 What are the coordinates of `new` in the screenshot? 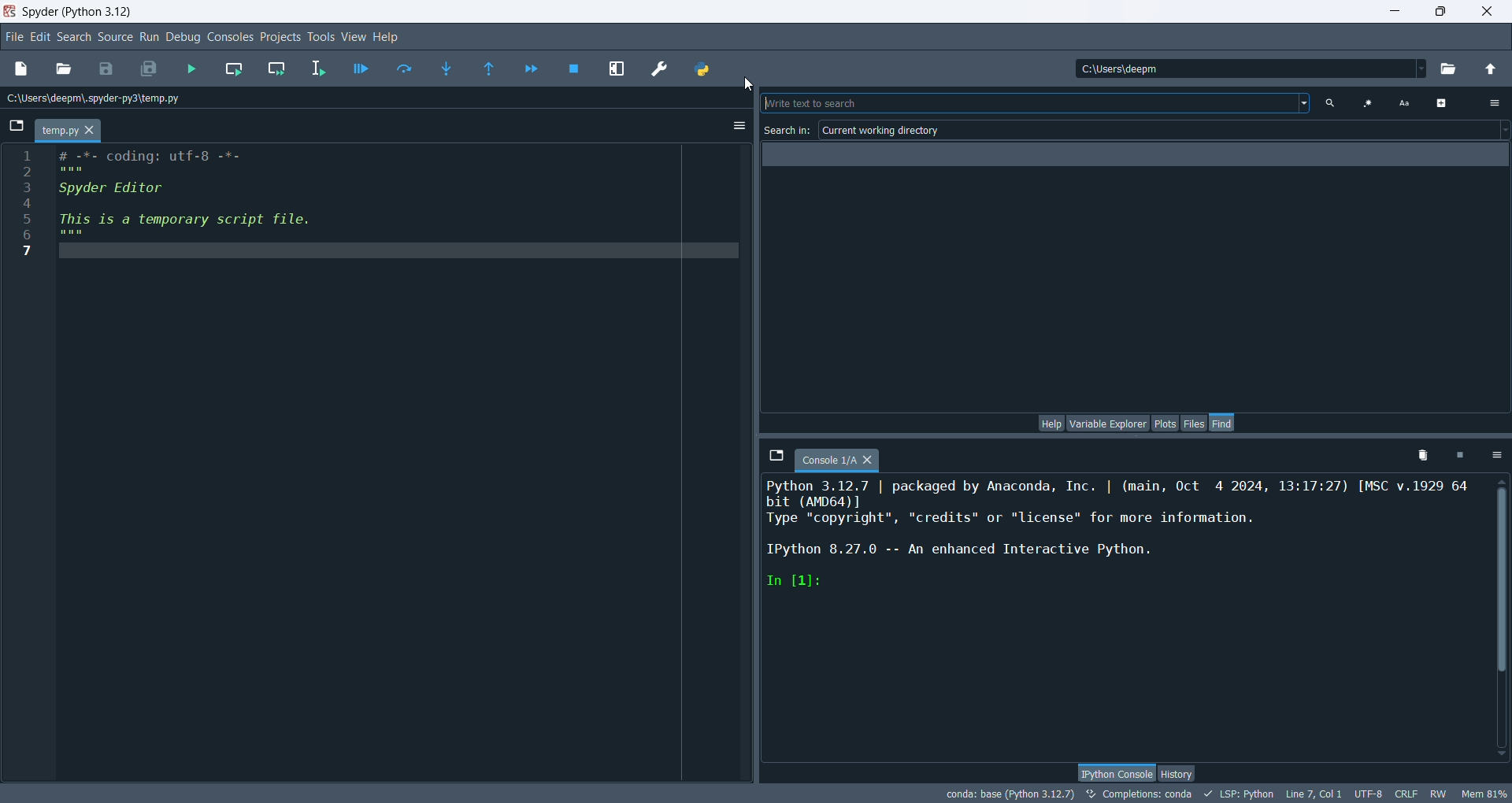 It's located at (20, 71).